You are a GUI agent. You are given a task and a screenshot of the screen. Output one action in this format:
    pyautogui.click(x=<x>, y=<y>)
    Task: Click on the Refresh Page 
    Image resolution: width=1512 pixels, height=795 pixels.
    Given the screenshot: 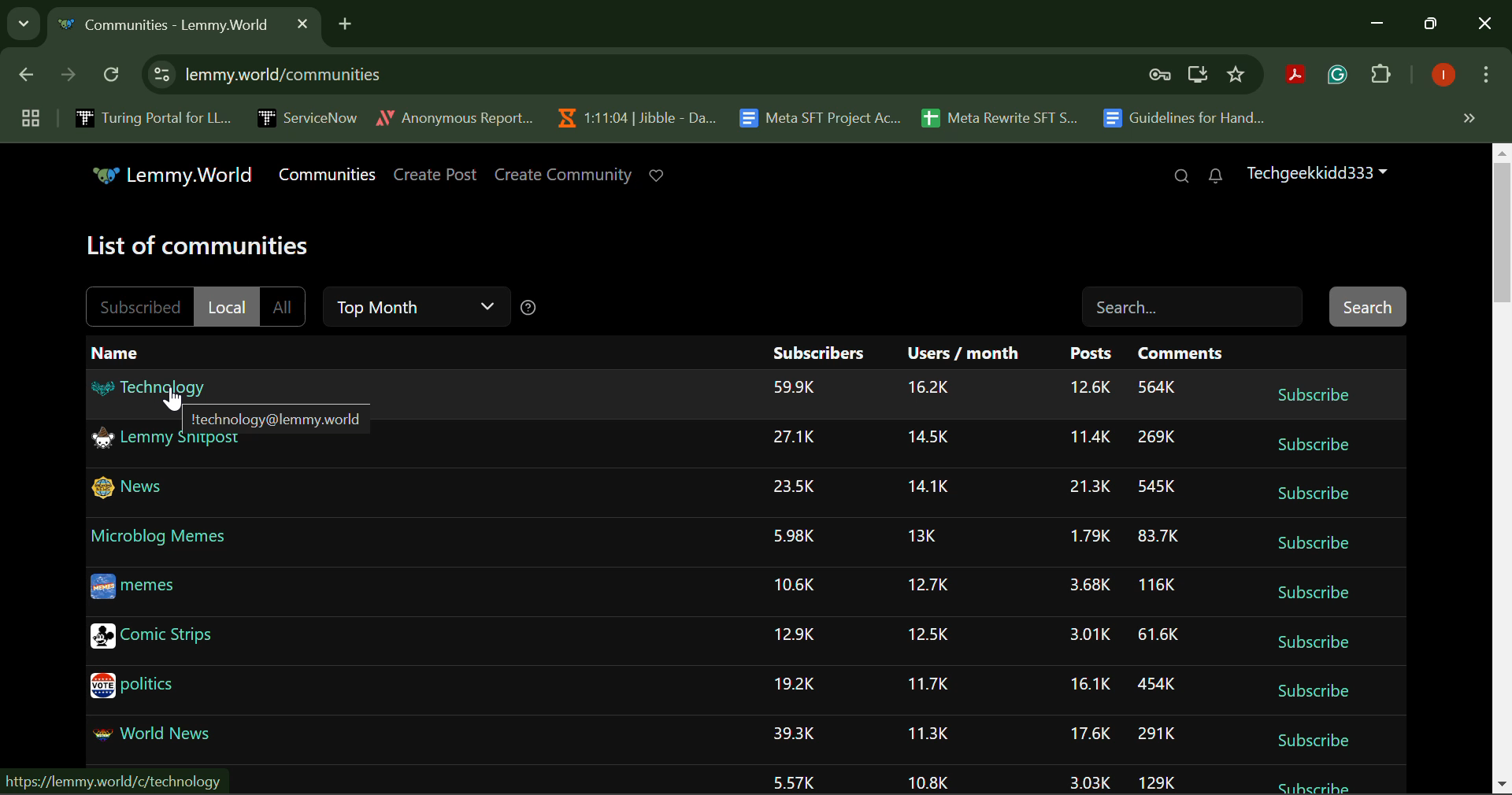 What is the action you would take?
    pyautogui.click(x=113, y=76)
    